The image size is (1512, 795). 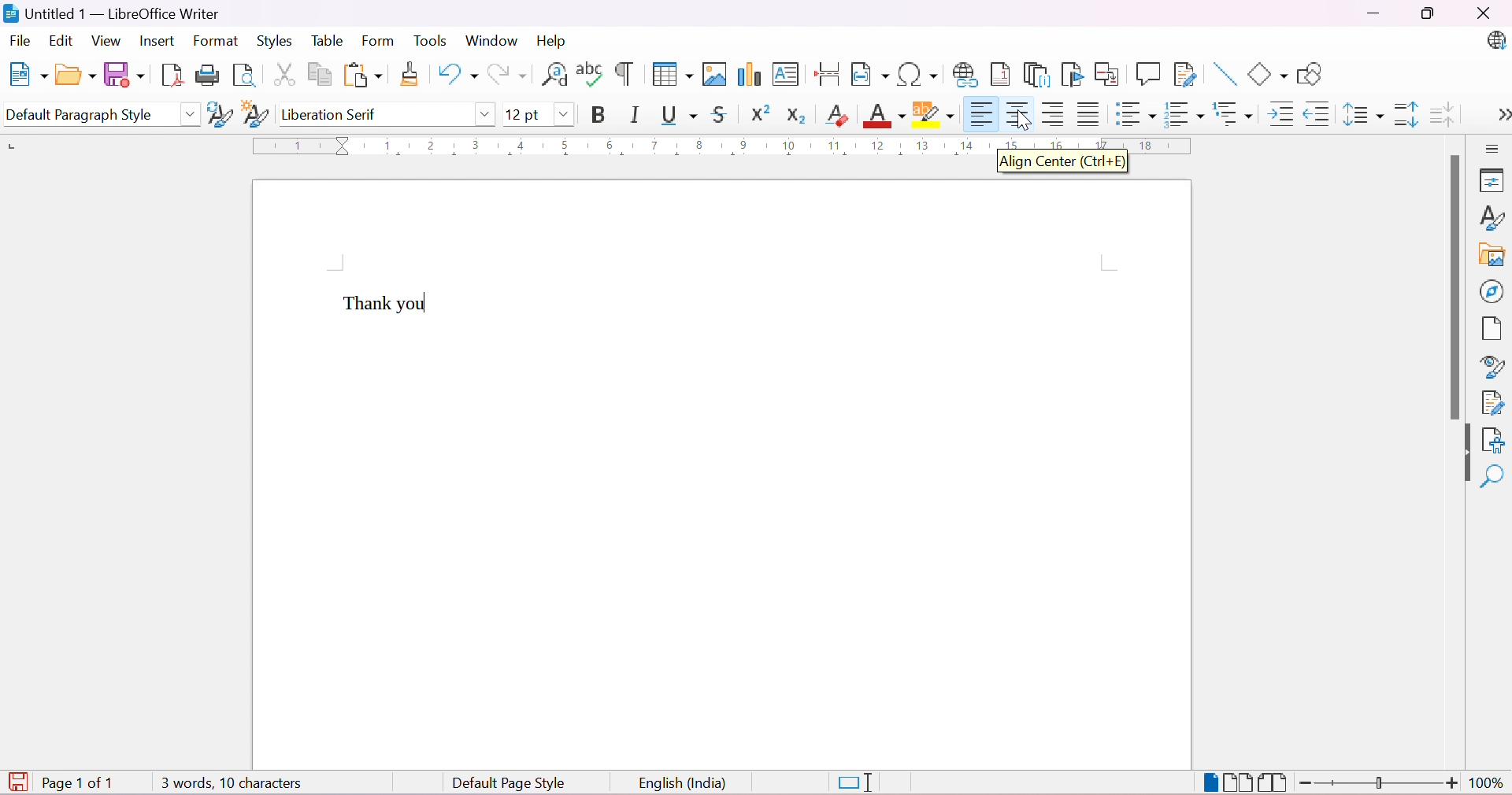 I want to click on Undo, so click(x=454, y=75).